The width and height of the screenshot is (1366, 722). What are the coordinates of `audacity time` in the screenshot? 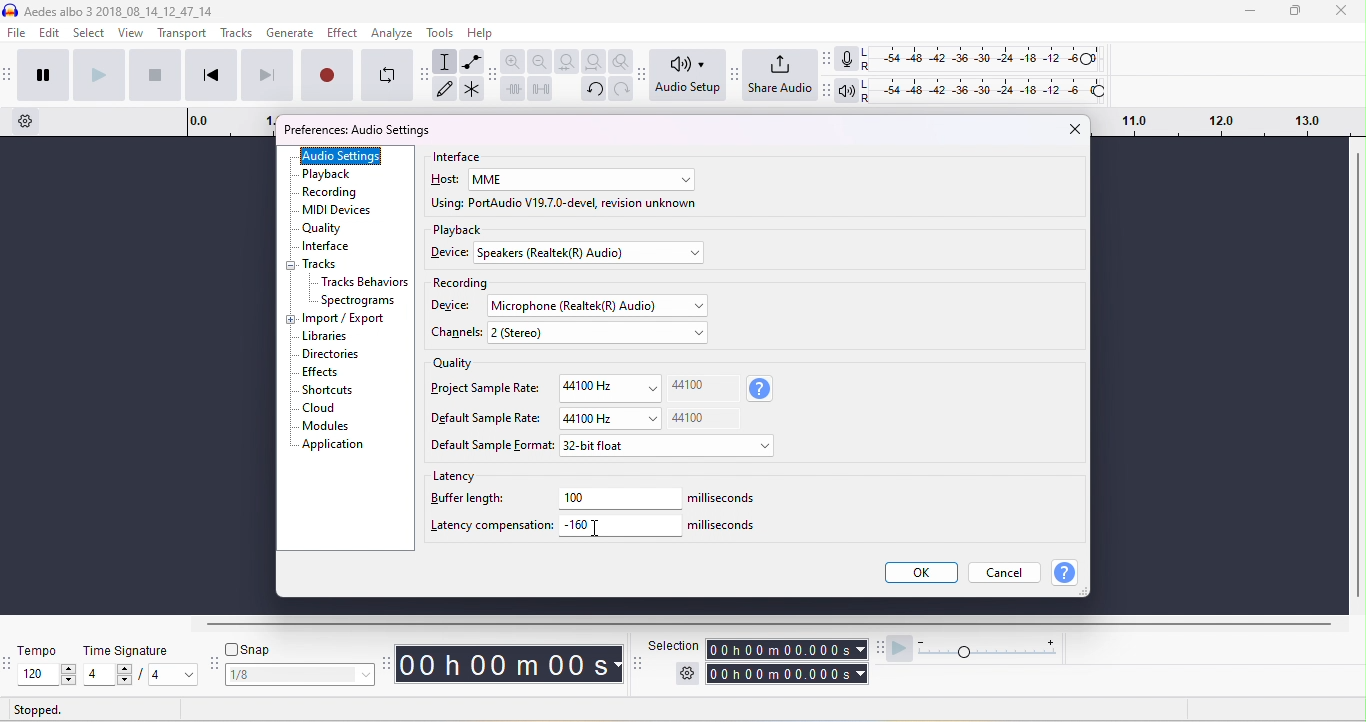 It's located at (511, 665).